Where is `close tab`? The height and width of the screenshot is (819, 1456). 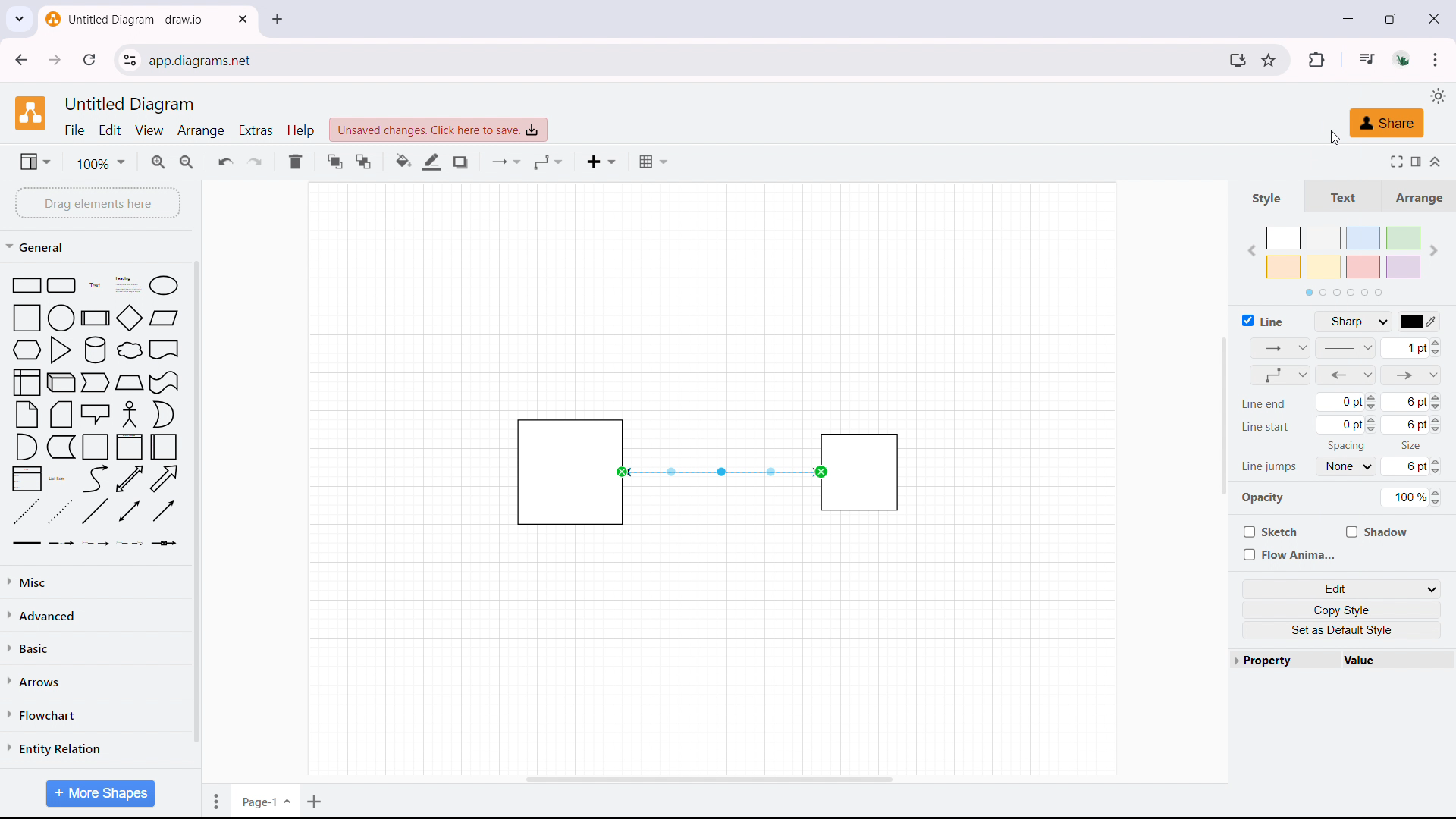 close tab is located at coordinates (243, 19).